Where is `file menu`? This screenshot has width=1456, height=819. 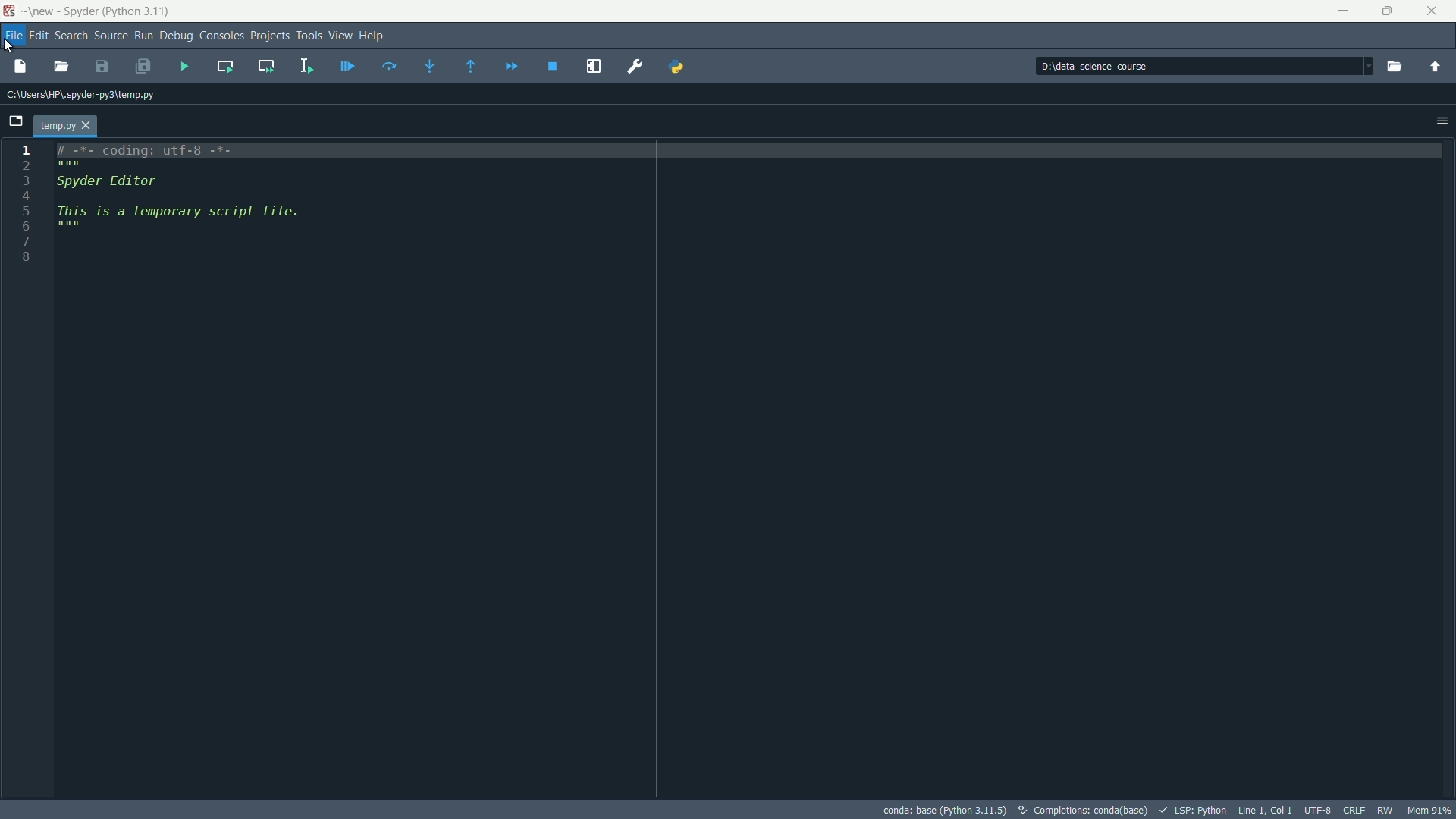
file menu is located at coordinates (14, 35).